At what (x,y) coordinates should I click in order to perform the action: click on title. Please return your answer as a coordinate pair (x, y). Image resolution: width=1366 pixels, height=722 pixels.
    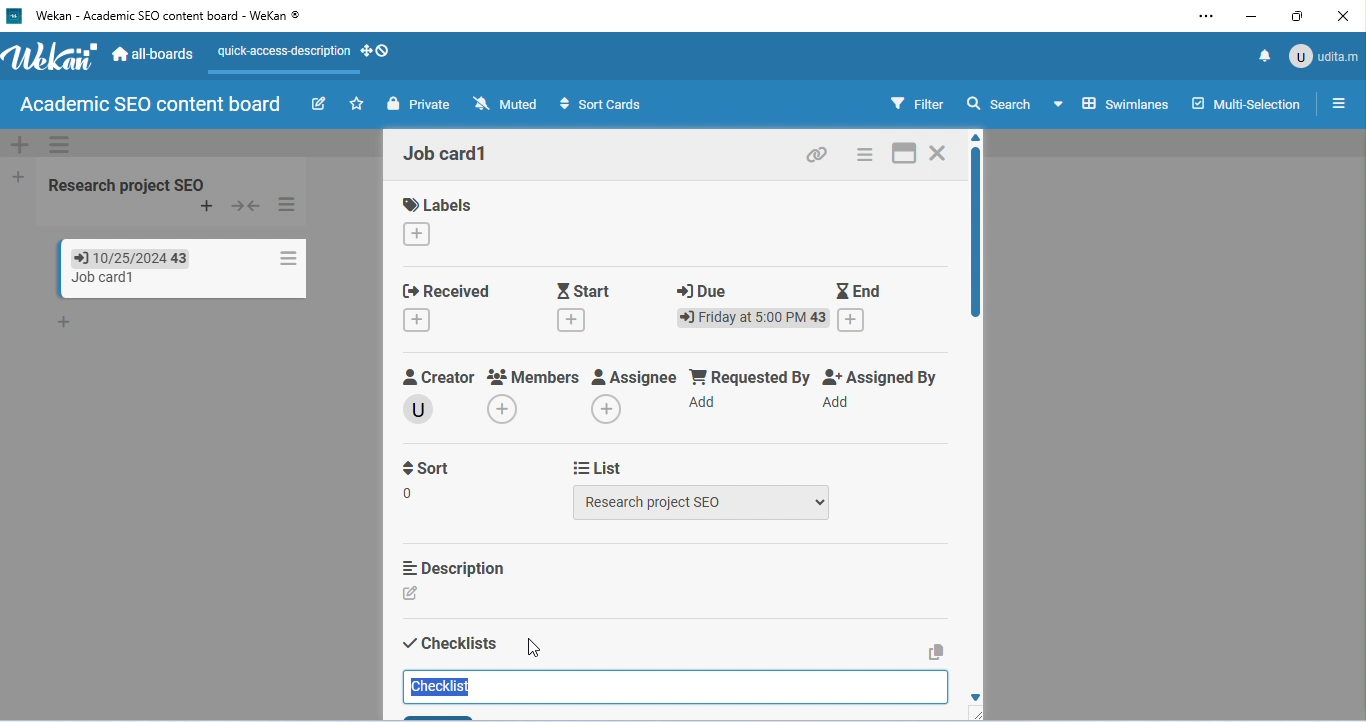
    Looking at the image, I should click on (160, 17).